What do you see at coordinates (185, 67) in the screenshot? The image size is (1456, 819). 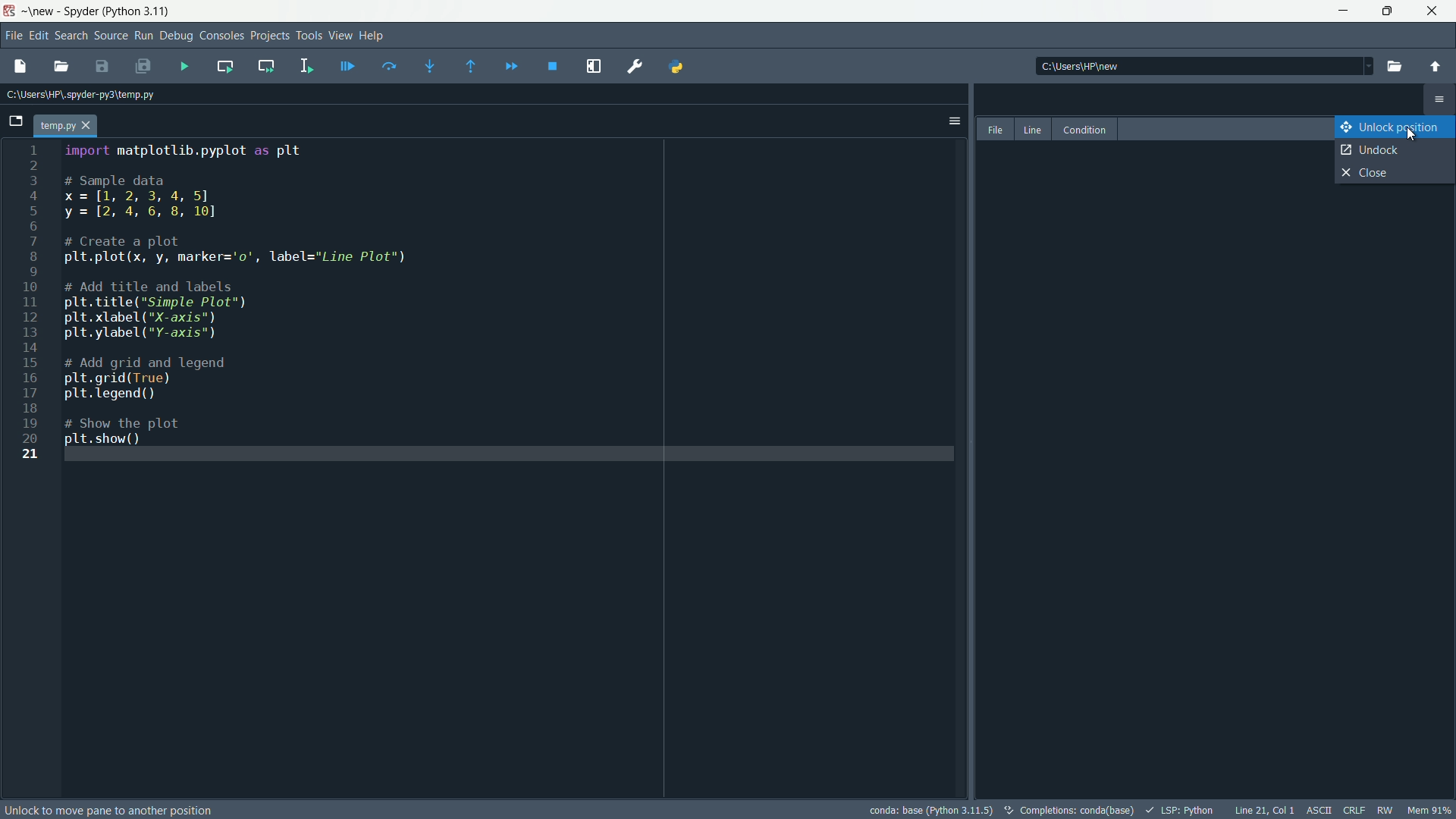 I see `run file` at bounding box center [185, 67].